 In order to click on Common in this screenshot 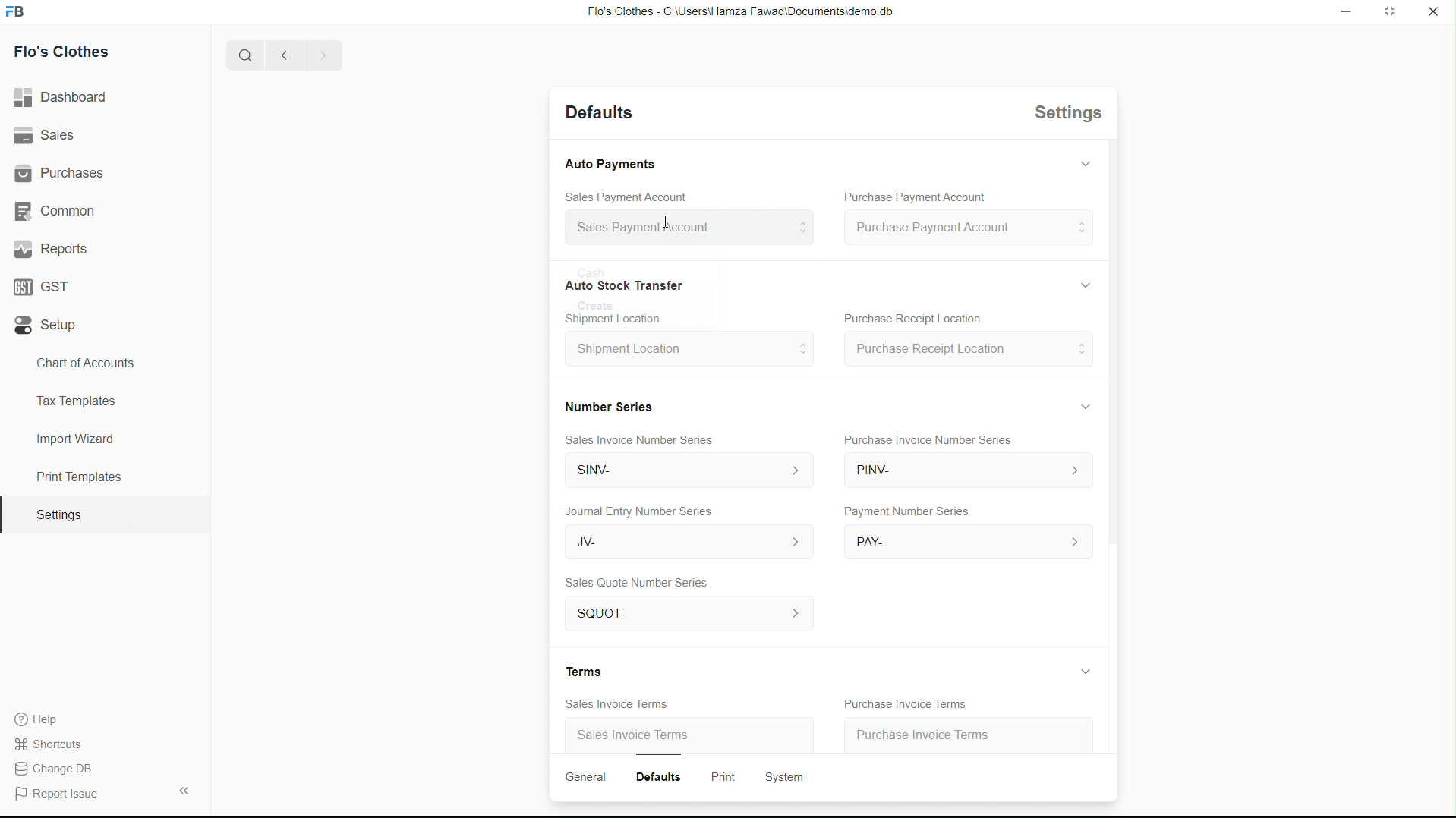, I will do `click(58, 209)`.